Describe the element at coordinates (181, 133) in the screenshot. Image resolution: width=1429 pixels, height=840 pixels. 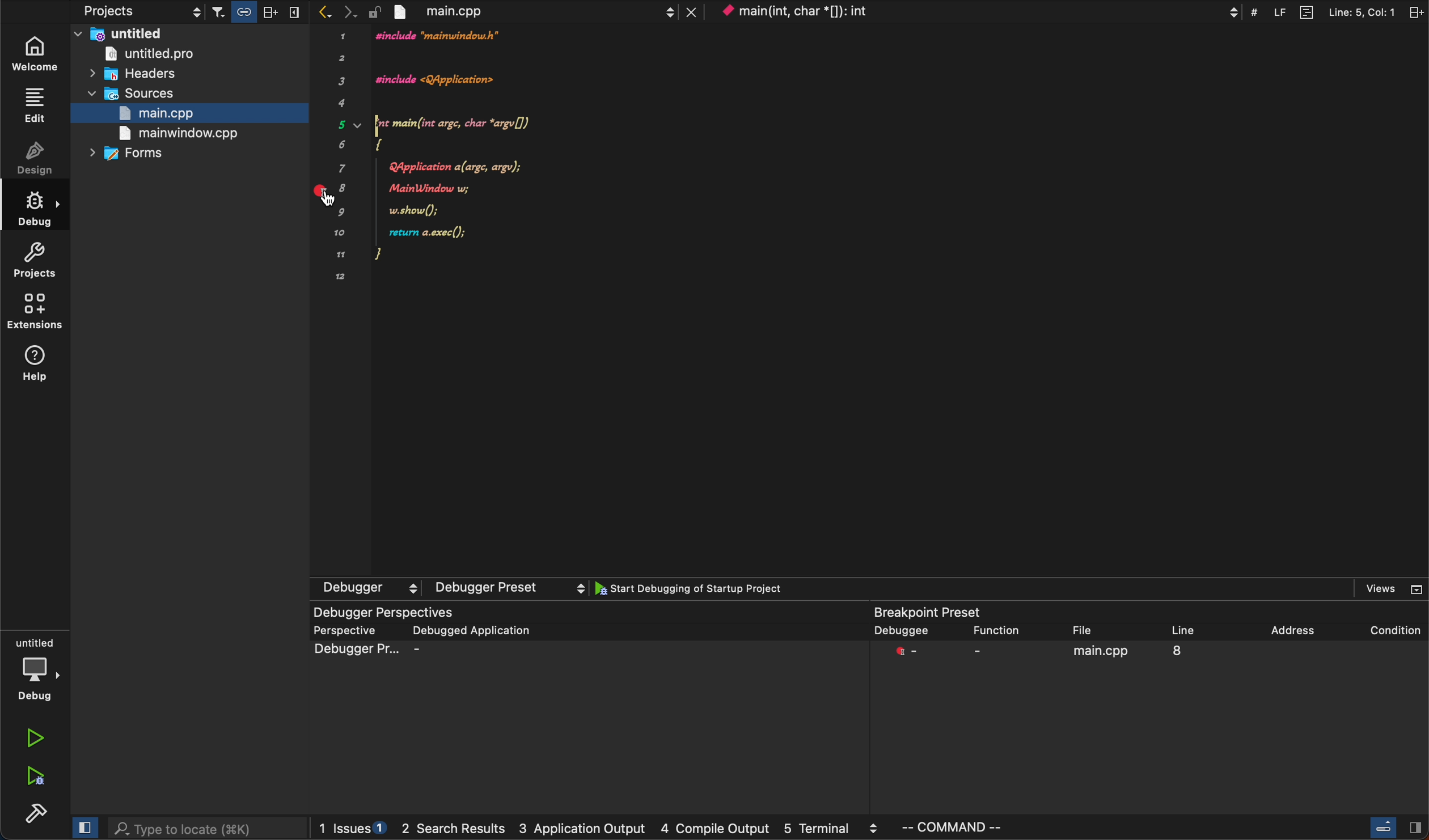
I see `main window.cpp` at that location.